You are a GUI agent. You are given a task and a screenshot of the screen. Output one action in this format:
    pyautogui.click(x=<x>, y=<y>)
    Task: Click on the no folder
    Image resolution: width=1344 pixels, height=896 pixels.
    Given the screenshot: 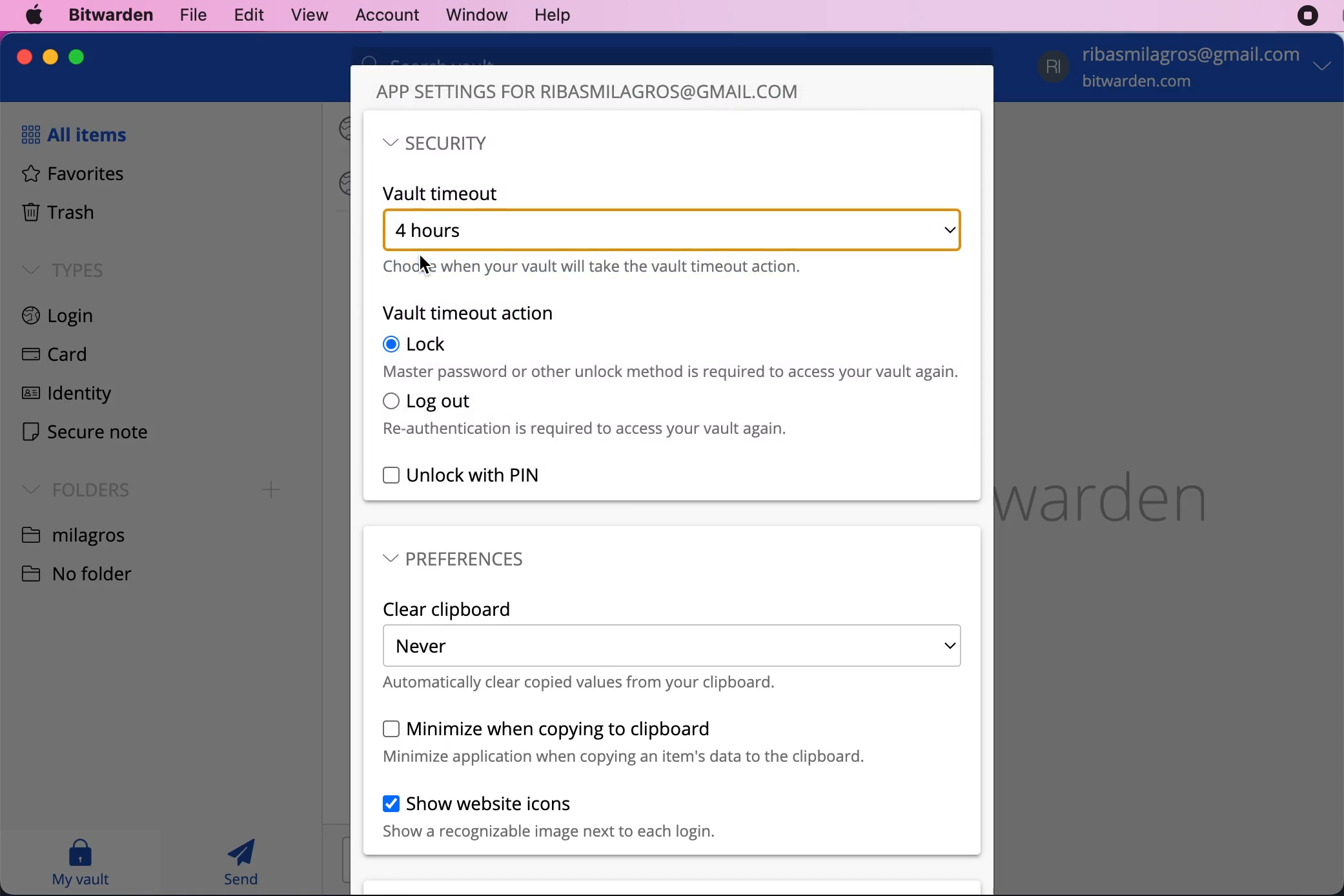 What is the action you would take?
    pyautogui.click(x=87, y=572)
    